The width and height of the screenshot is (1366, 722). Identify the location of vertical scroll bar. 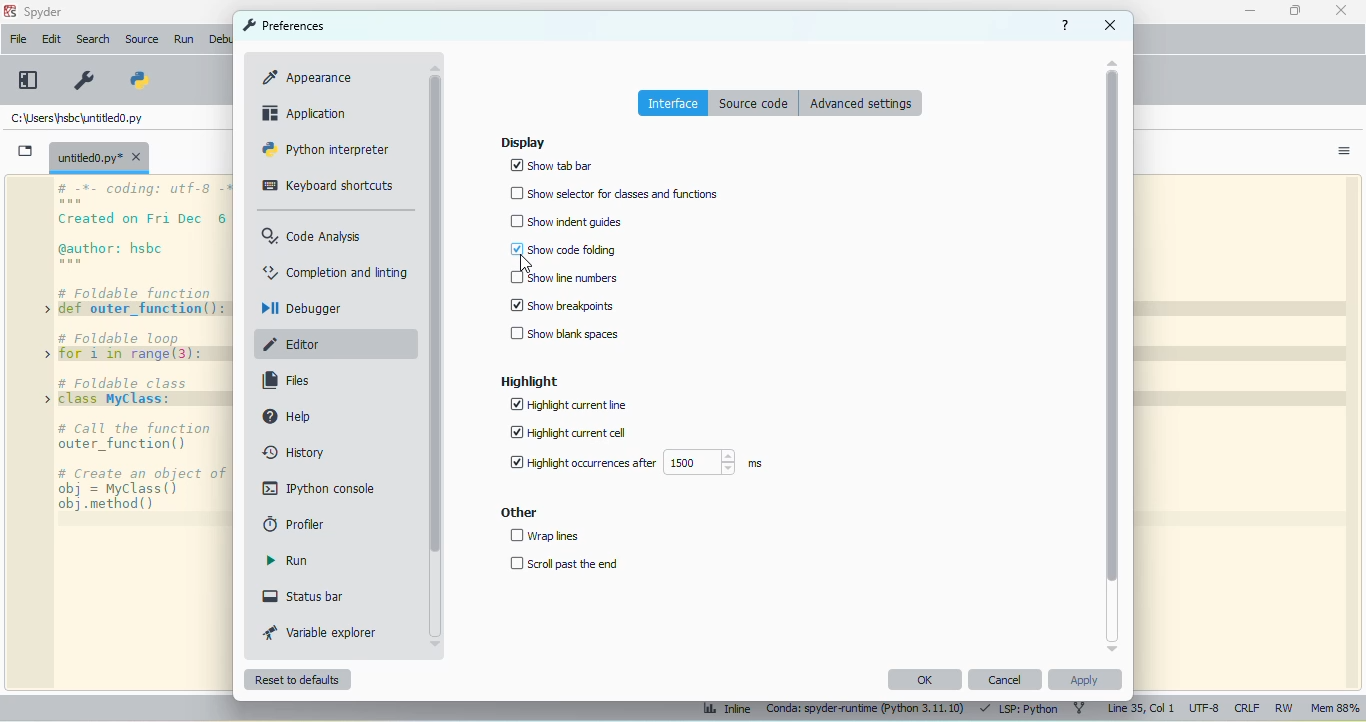
(1113, 328).